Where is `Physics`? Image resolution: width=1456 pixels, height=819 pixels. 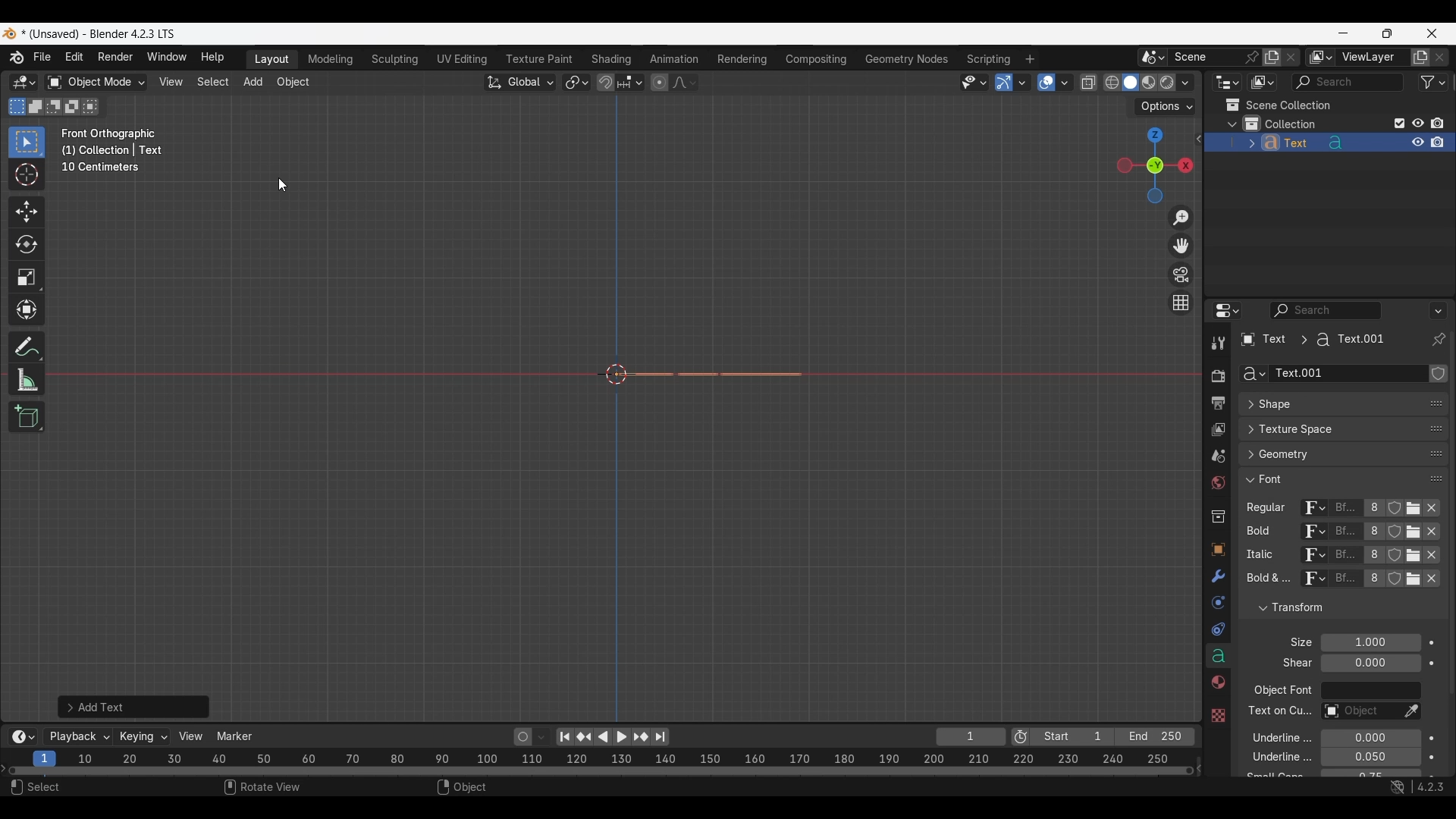
Physics is located at coordinates (1217, 603).